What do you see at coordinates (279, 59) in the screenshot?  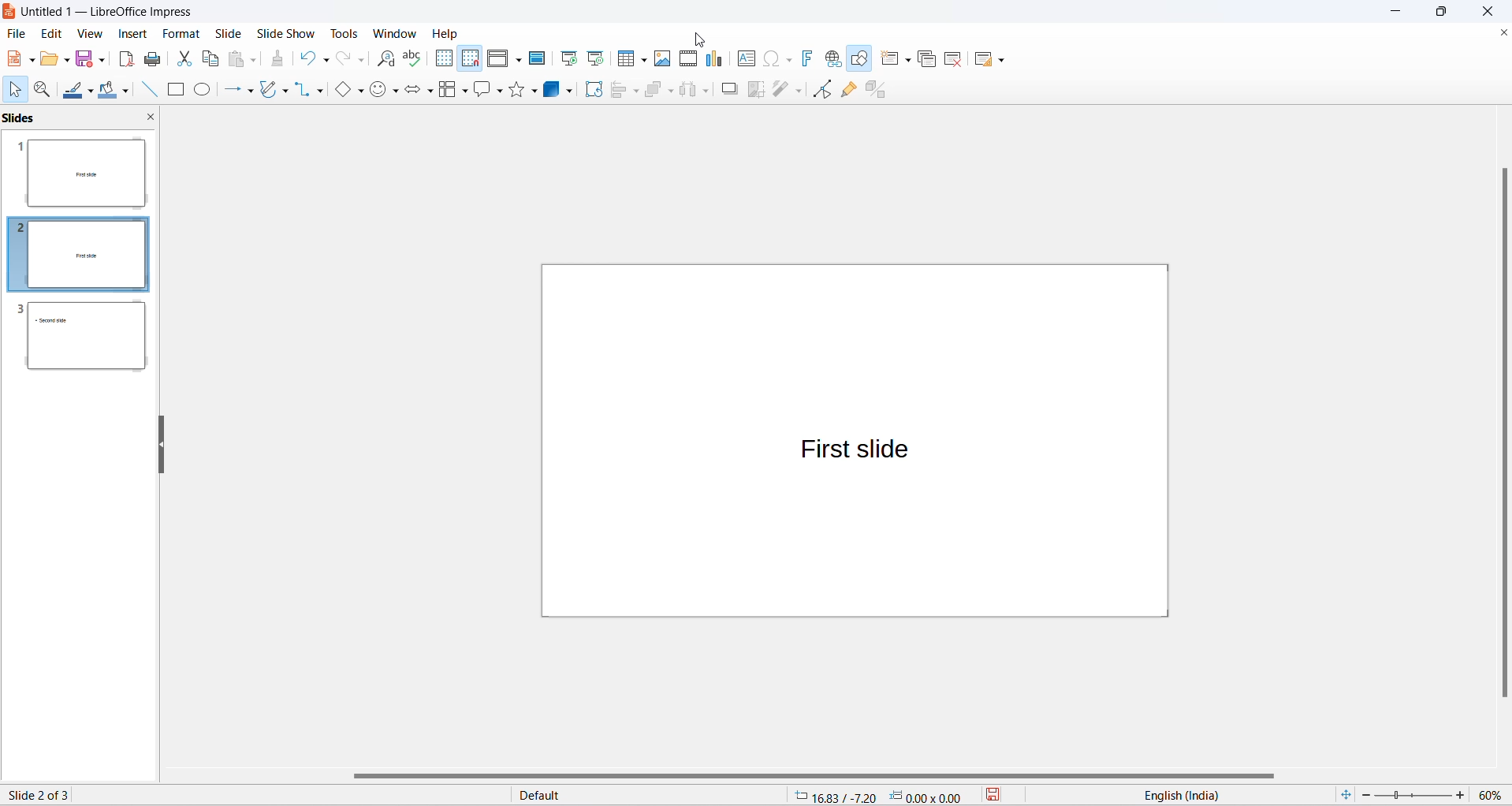 I see `clone formatting` at bounding box center [279, 59].